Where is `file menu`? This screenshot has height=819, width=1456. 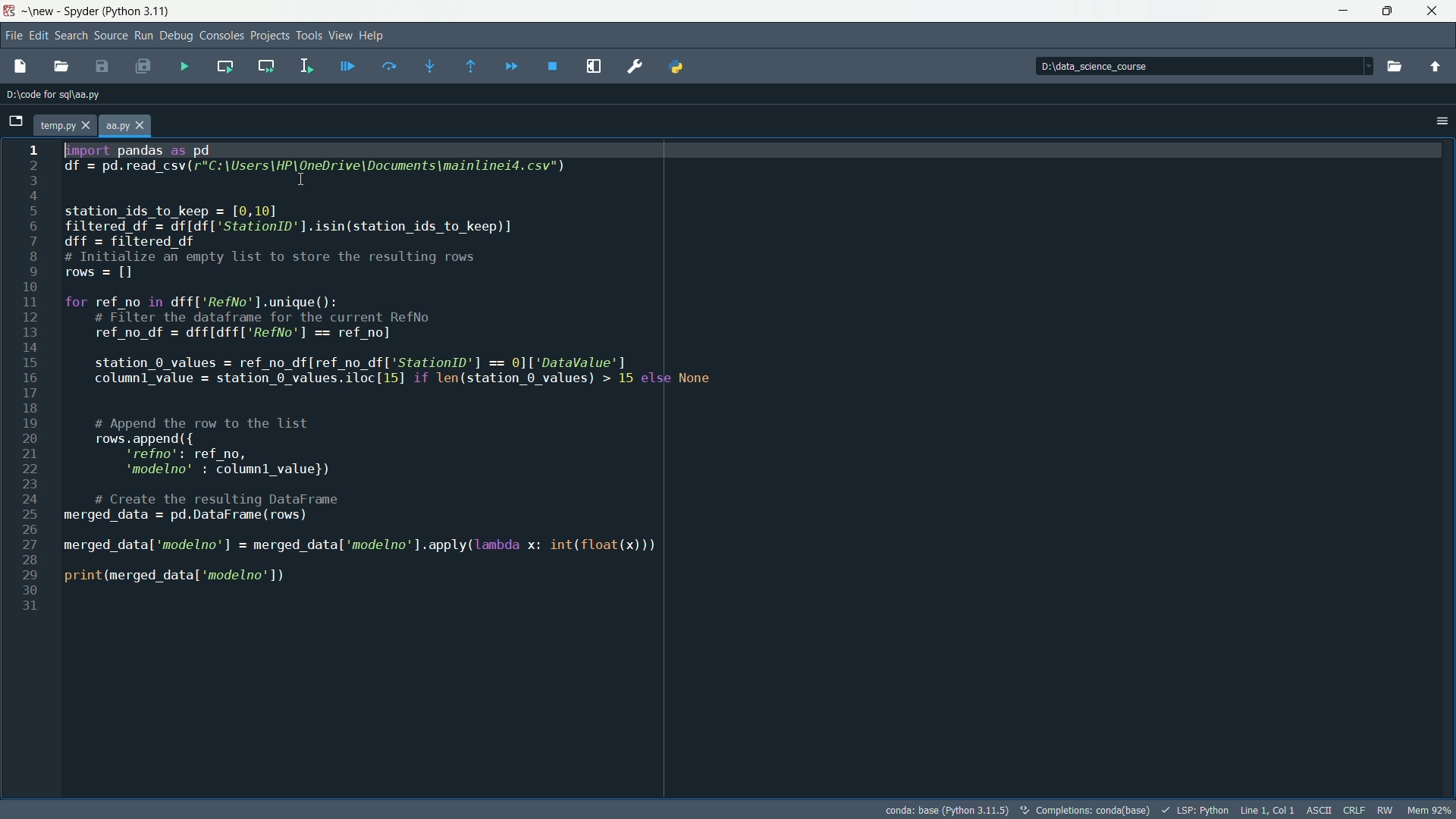
file menu is located at coordinates (14, 35).